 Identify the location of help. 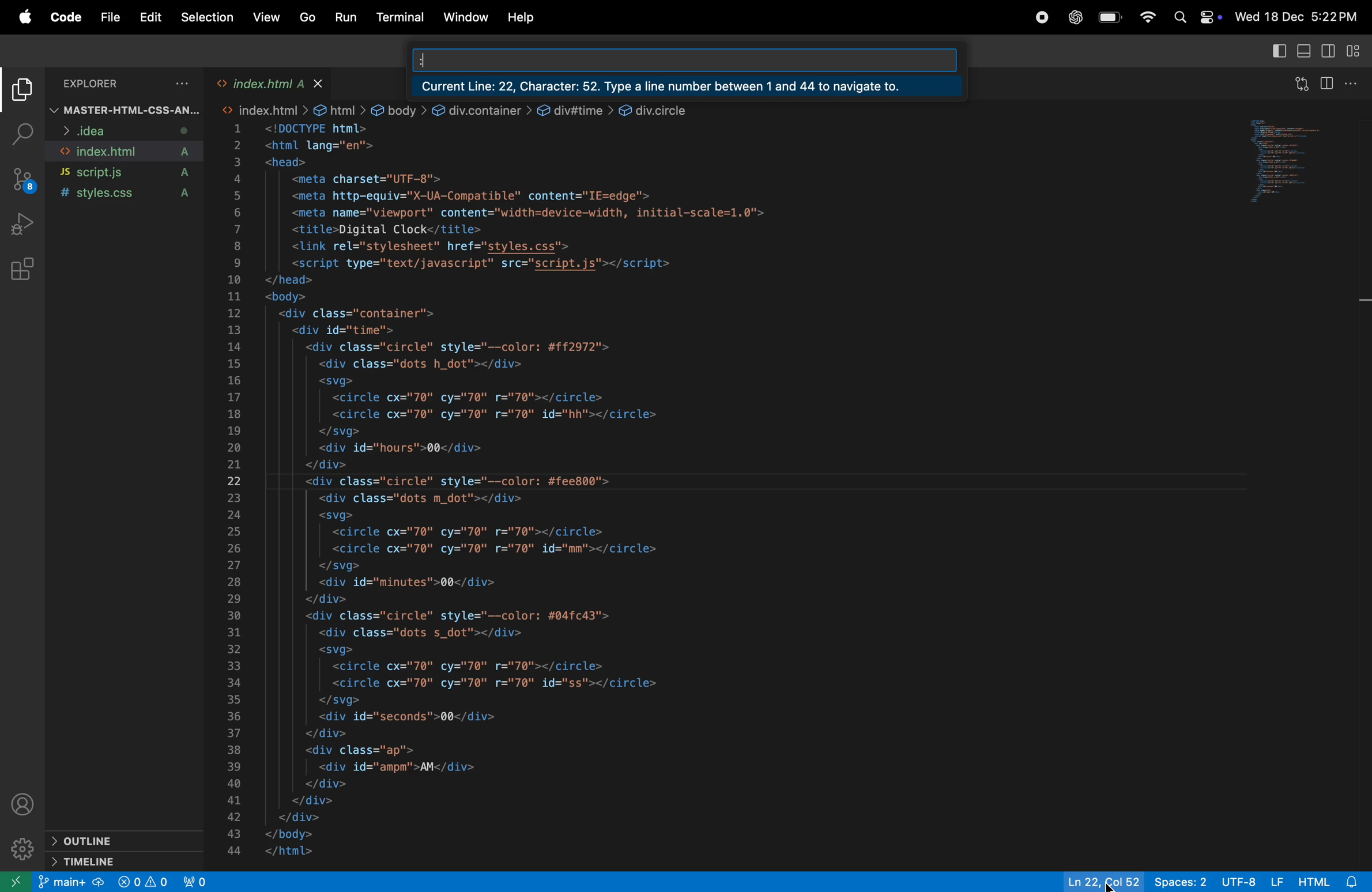
(522, 17).